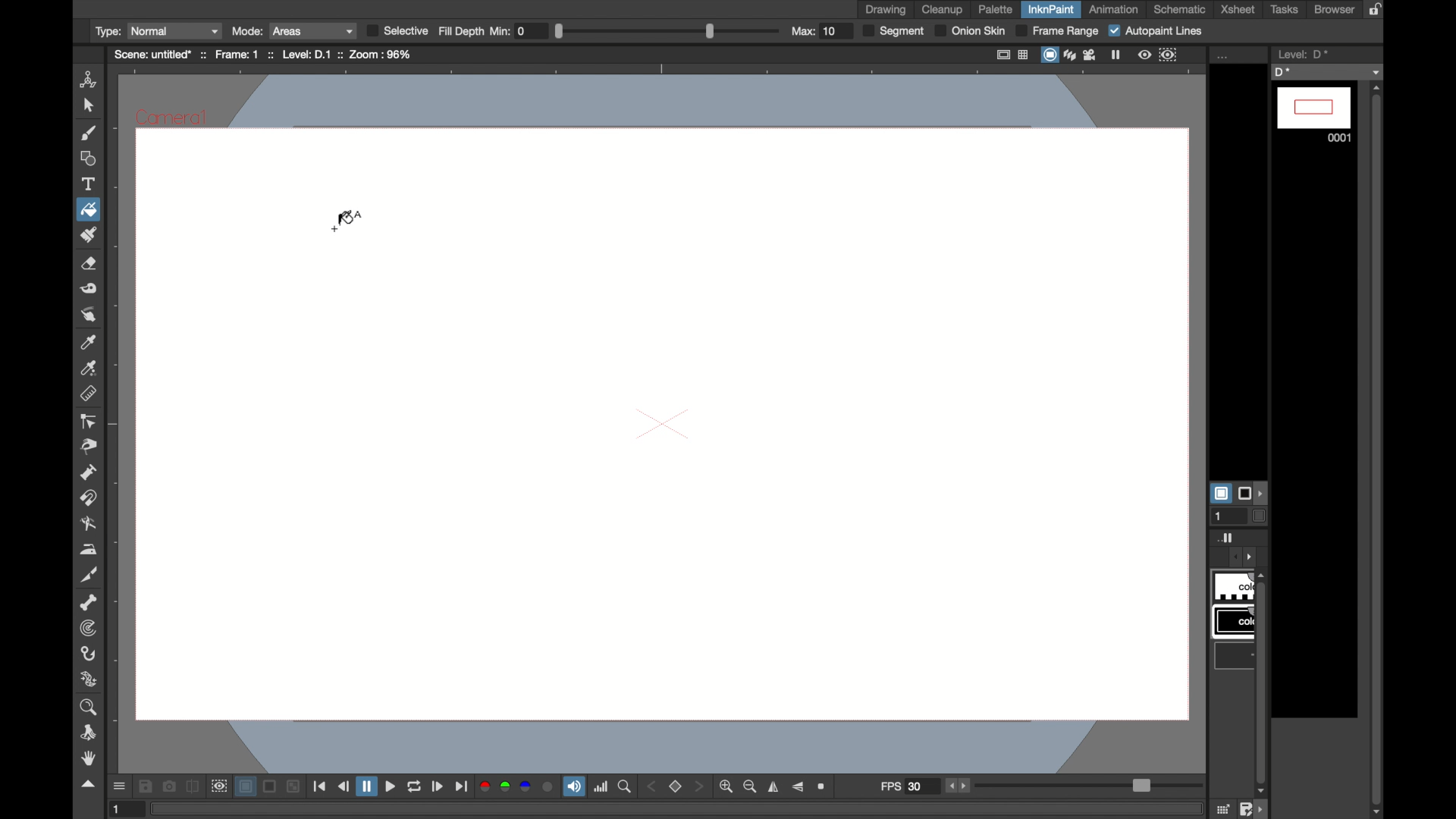 The width and height of the screenshot is (1456, 819). Describe the element at coordinates (504, 787) in the screenshot. I see `green` at that location.